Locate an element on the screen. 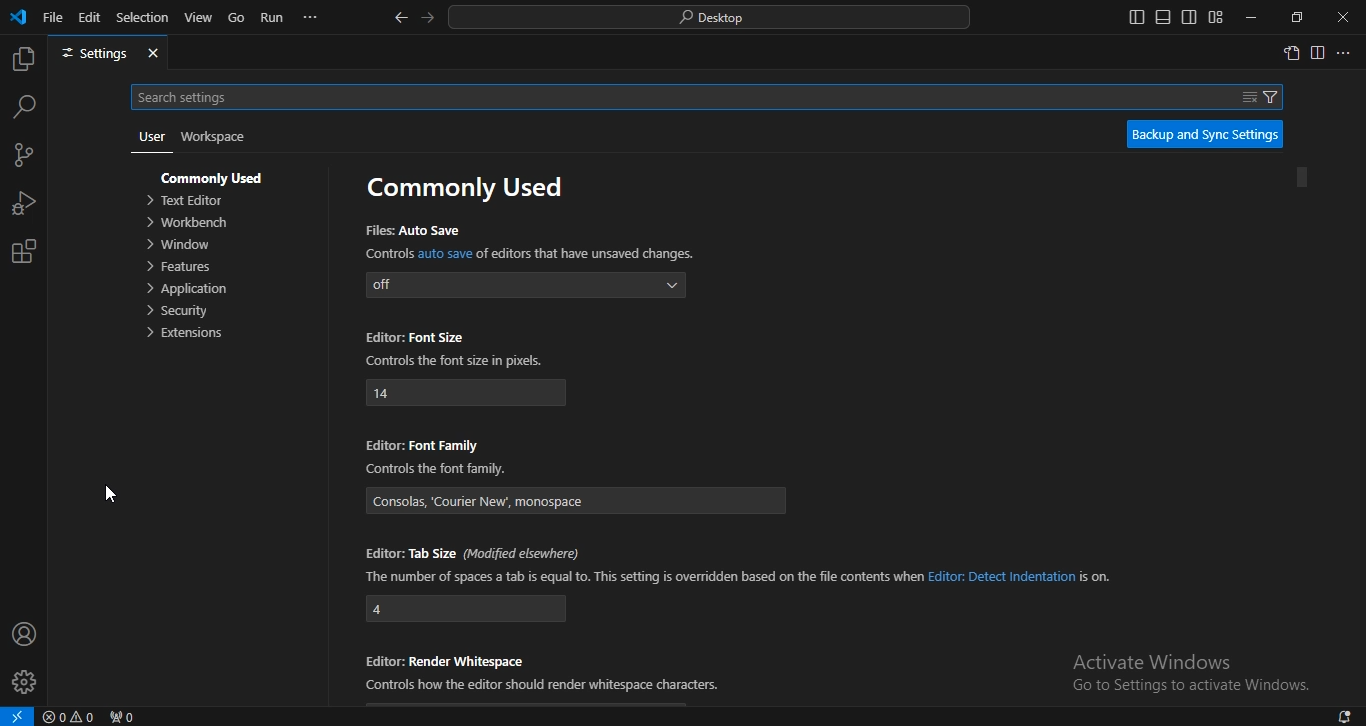  search is located at coordinates (26, 108).